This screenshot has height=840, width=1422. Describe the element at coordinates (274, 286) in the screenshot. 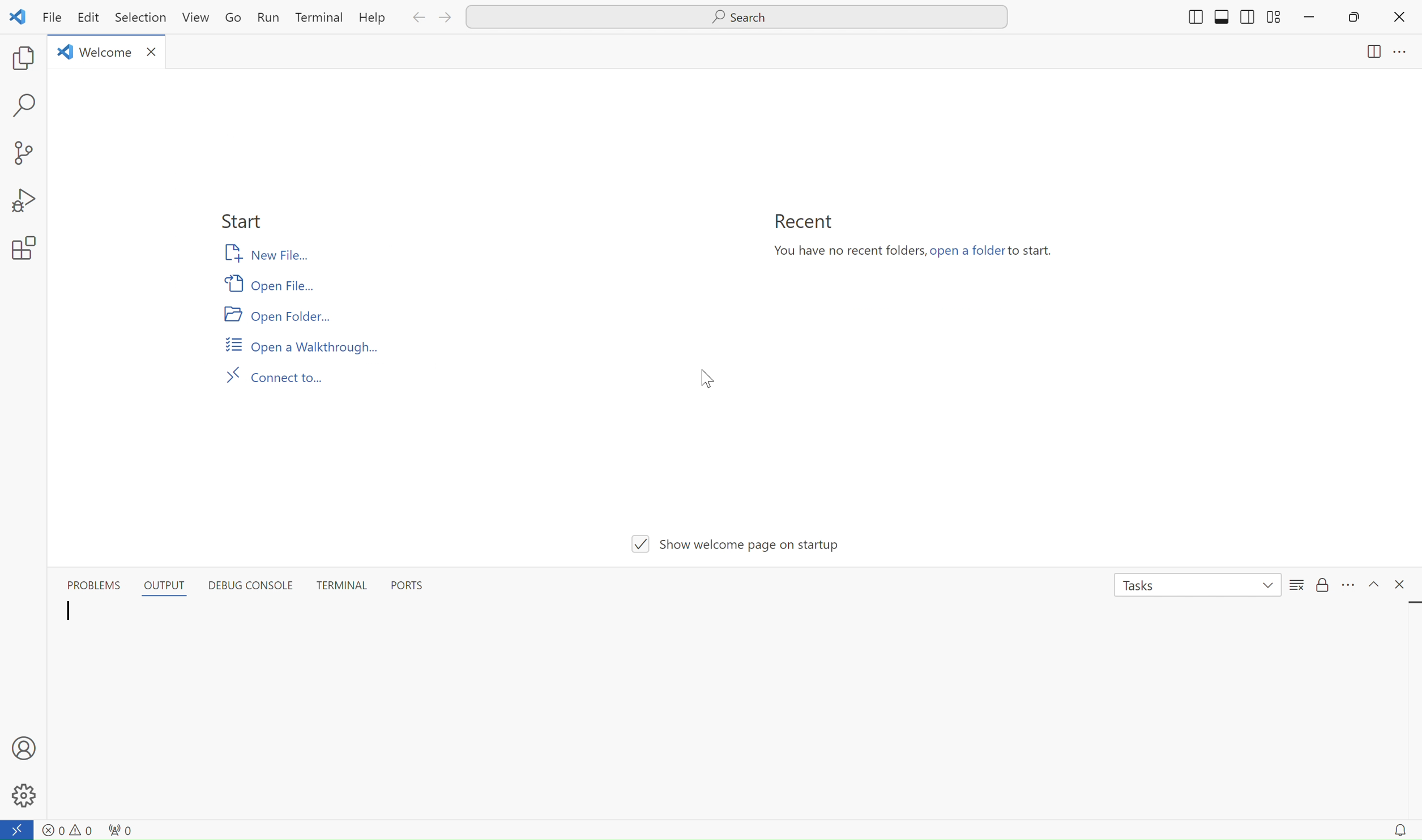

I see `Open File` at that location.